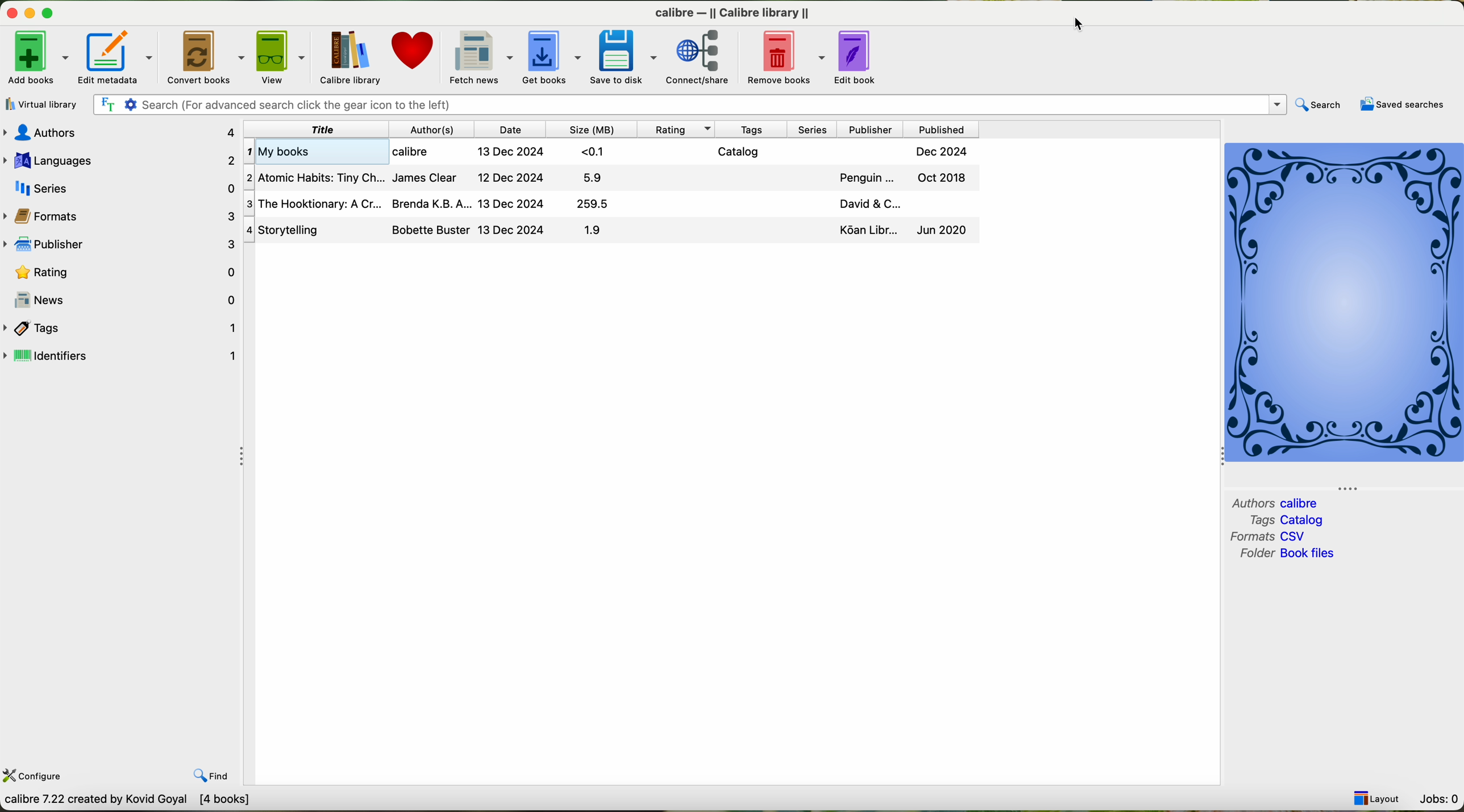  What do you see at coordinates (120, 134) in the screenshot?
I see `authors` at bounding box center [120, 134].